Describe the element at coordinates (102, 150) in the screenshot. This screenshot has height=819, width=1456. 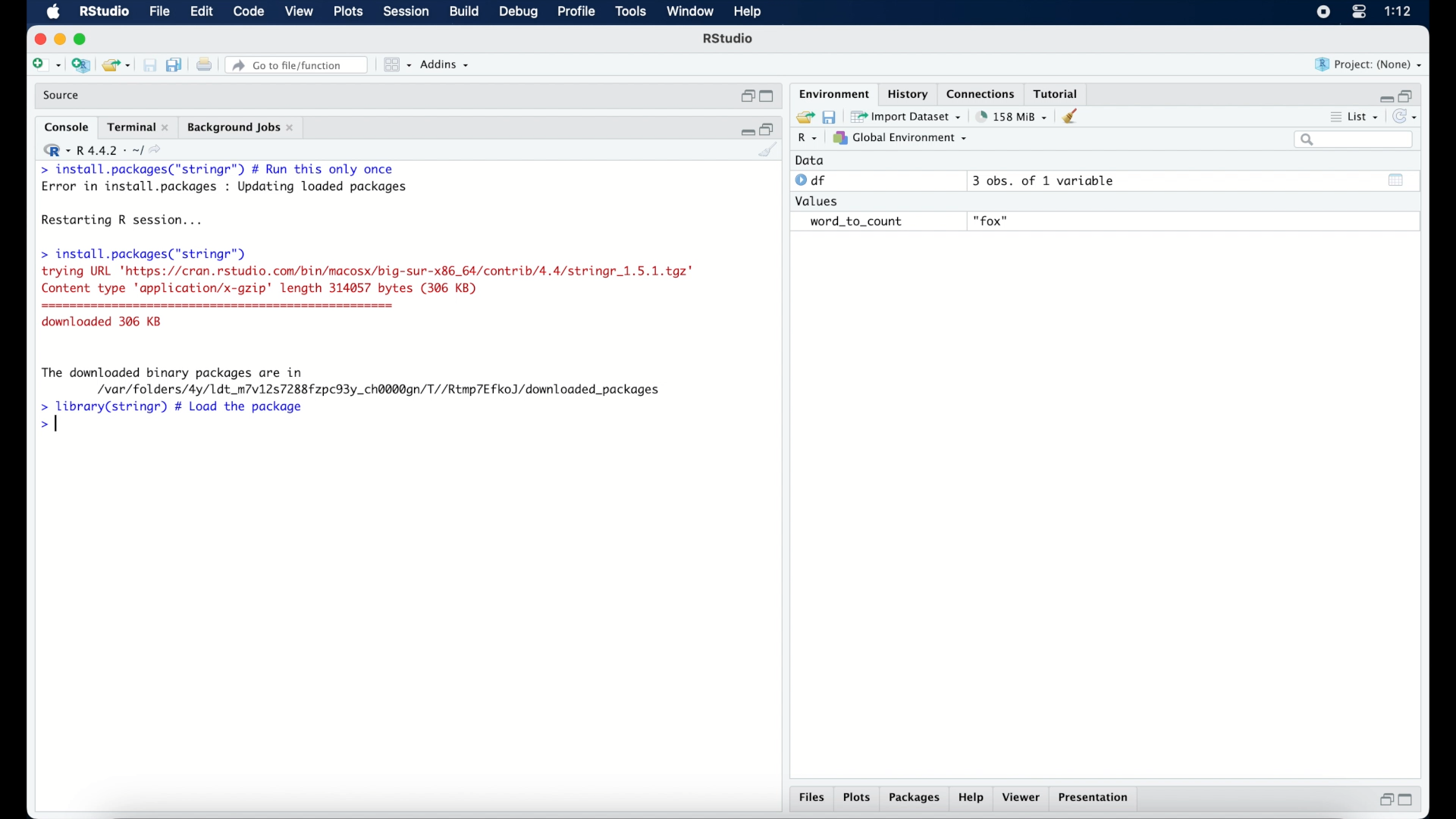
I see `R 4.4.2` at that location.